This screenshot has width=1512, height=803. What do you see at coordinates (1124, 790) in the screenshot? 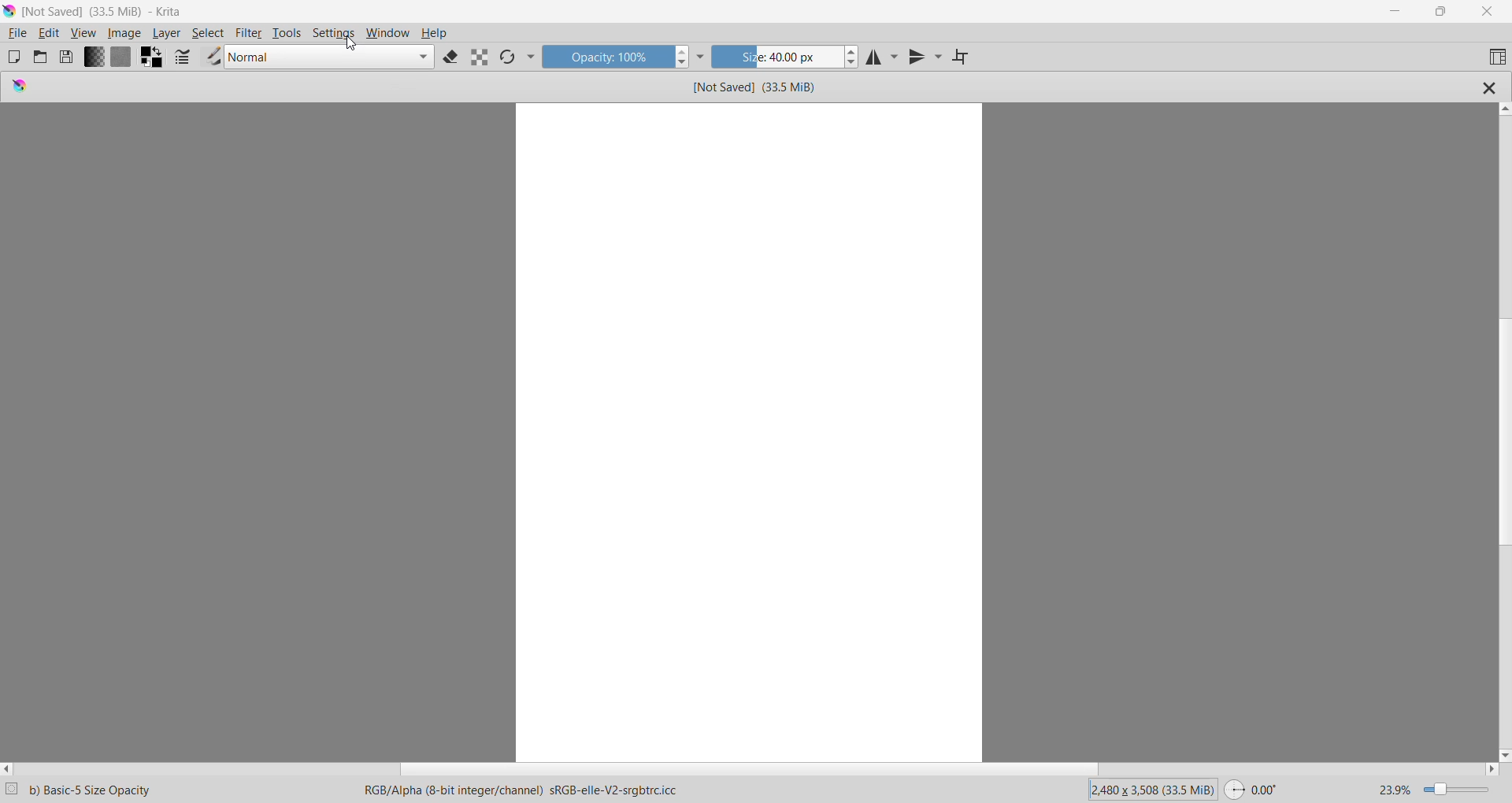
I see `Image Size` at bounding box center [1124, 790].